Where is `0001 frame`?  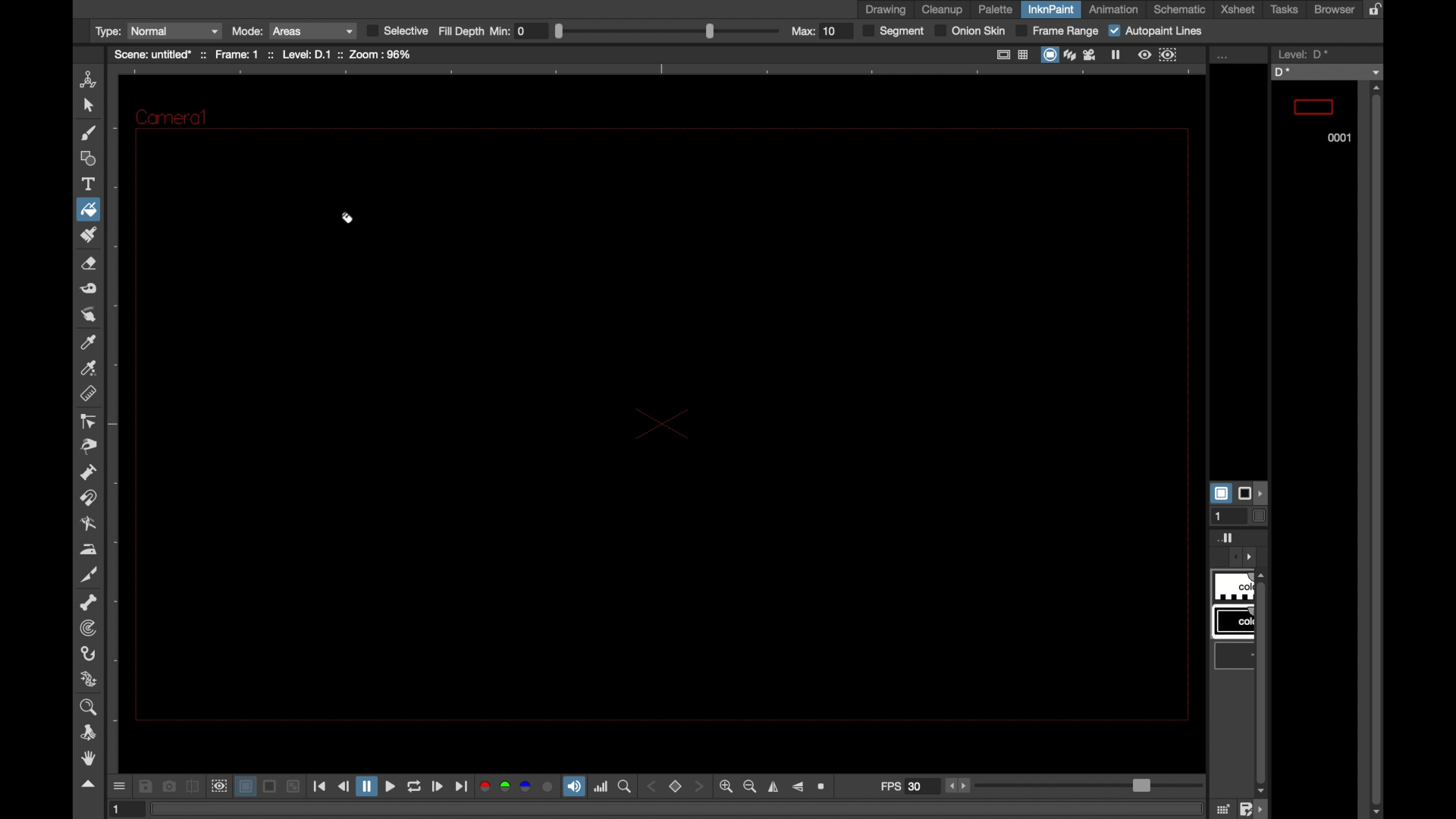
0001 frame is located at coordinates (1314, 115).